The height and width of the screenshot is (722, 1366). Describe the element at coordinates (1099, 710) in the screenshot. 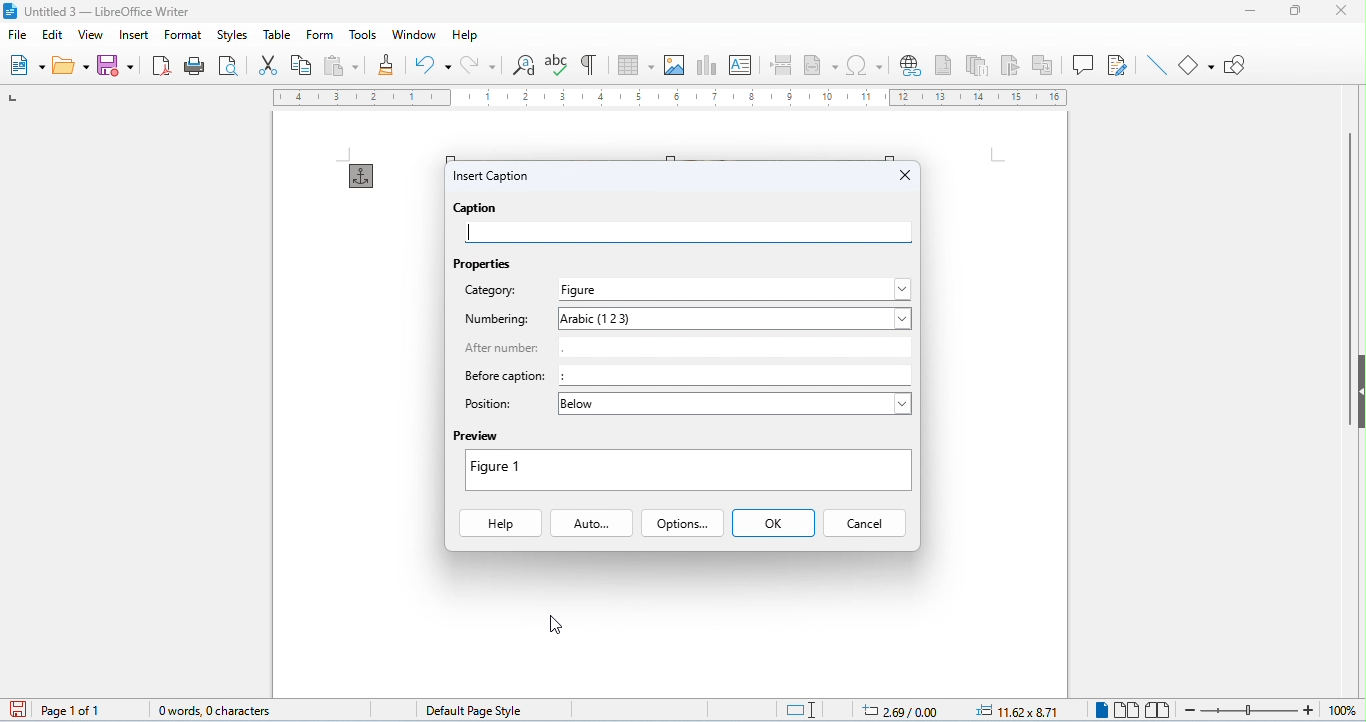

I see `single view` at that location.